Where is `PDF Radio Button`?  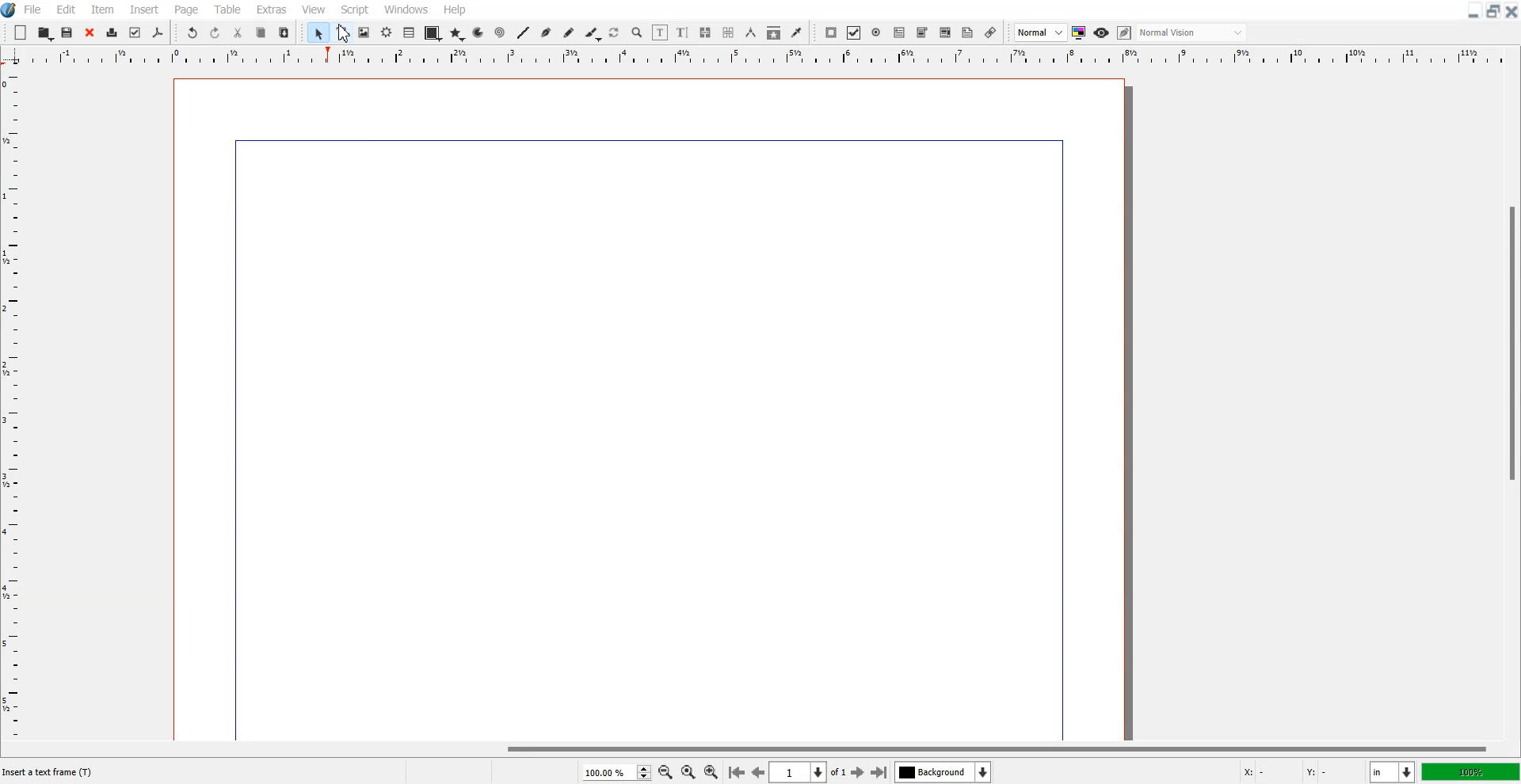 PDF Radio Button is located at coordinates (877, 32).